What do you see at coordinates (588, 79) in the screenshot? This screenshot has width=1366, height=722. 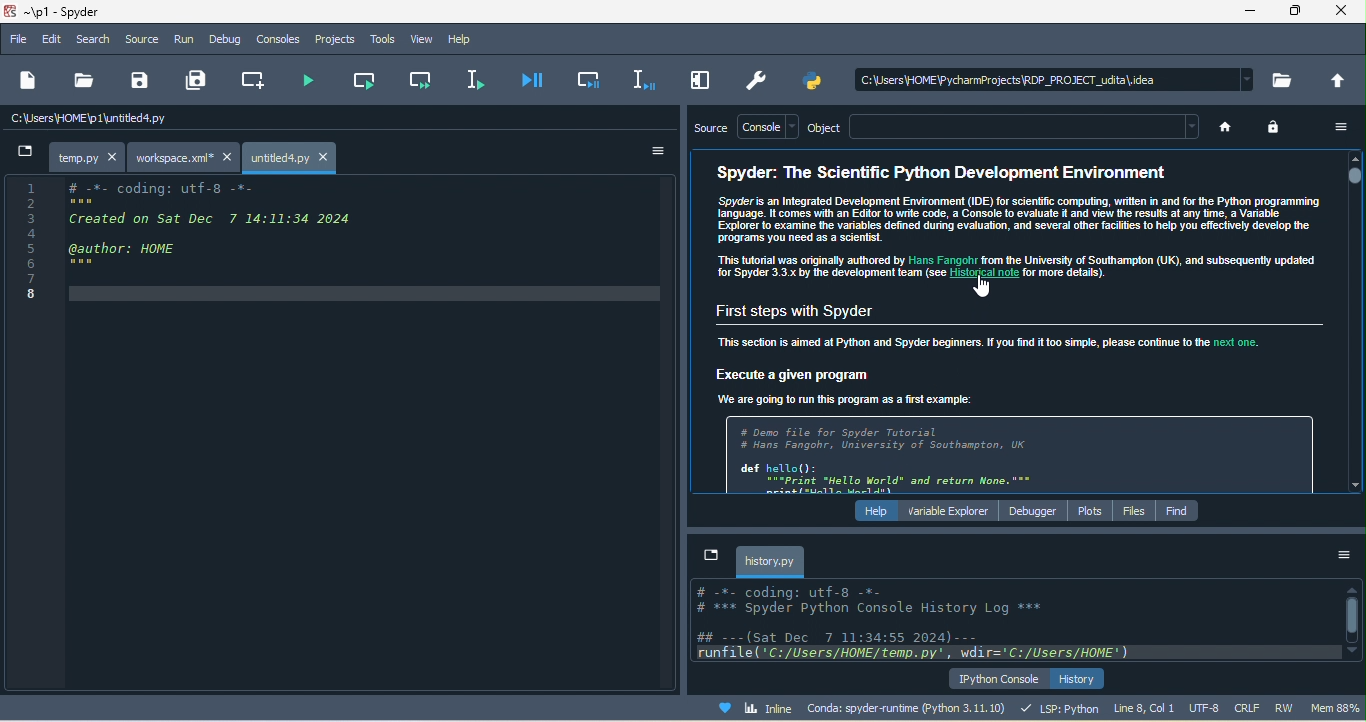 I see `debug cell` at bounding box center [588, 79].